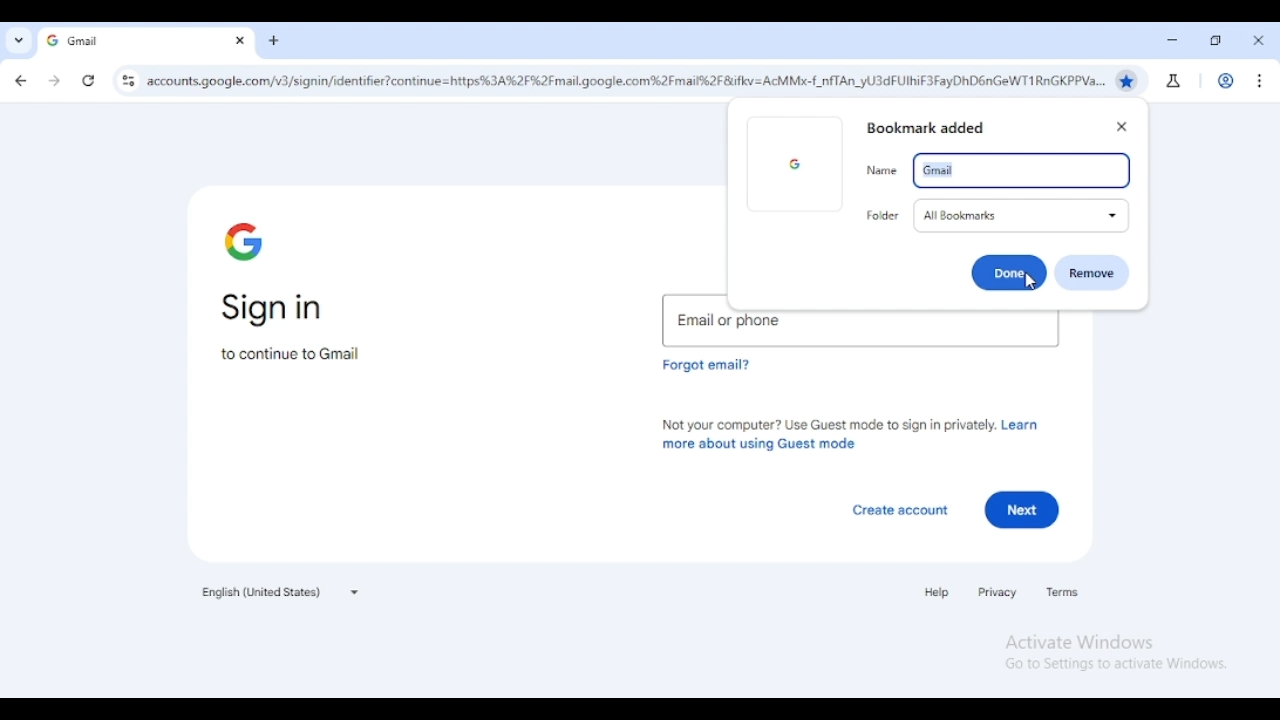  I want to click on Done, so click(1010, 273).